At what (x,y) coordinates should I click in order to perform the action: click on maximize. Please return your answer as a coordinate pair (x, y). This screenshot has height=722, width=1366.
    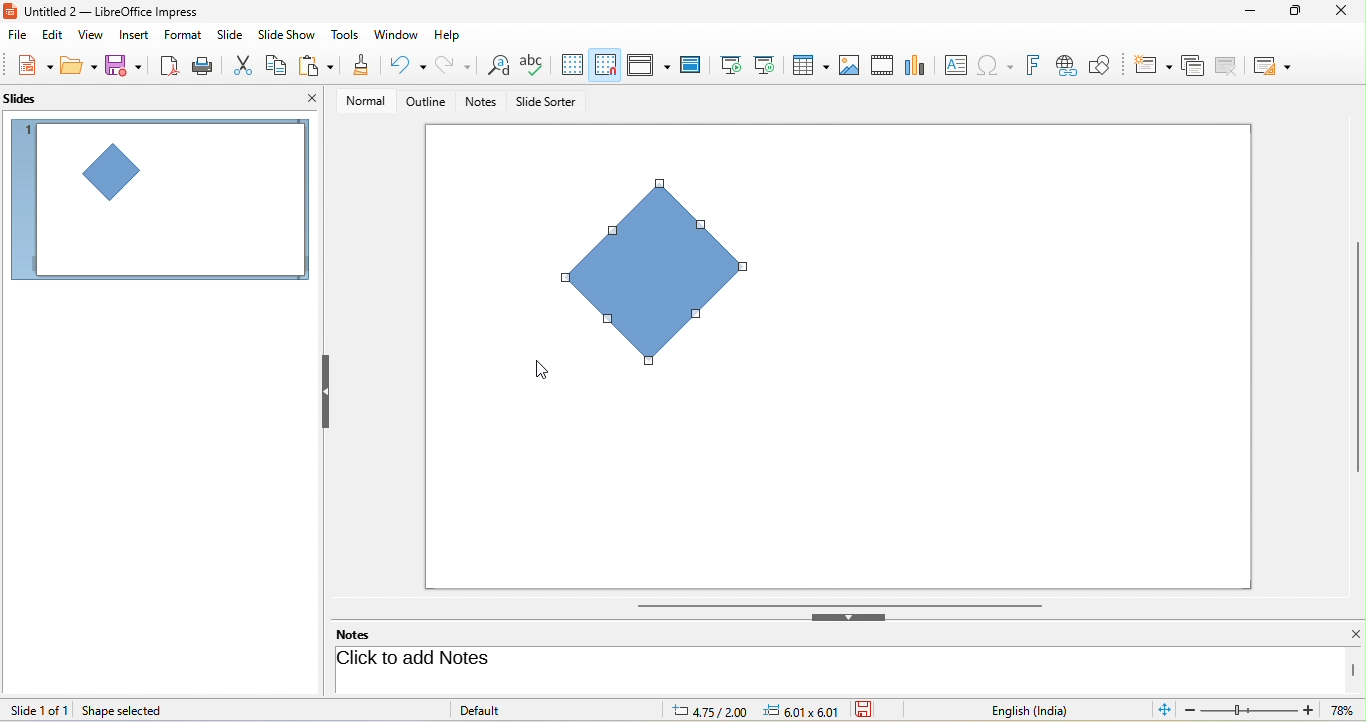
    Looking at the image, I should click on (1291, 15).